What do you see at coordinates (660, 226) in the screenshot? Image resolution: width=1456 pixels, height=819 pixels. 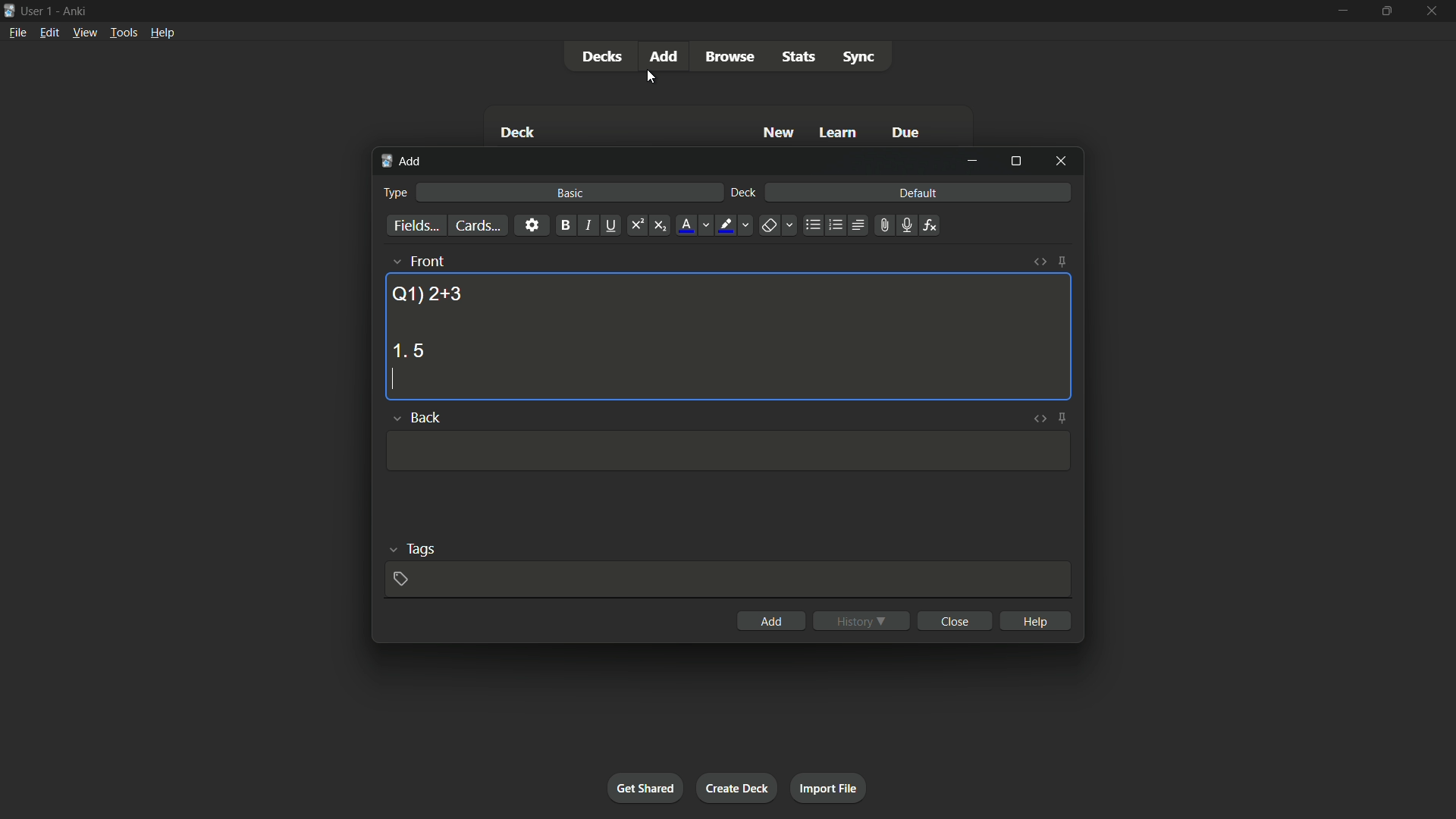 I see `subscript` at bounding box center [660, 226].